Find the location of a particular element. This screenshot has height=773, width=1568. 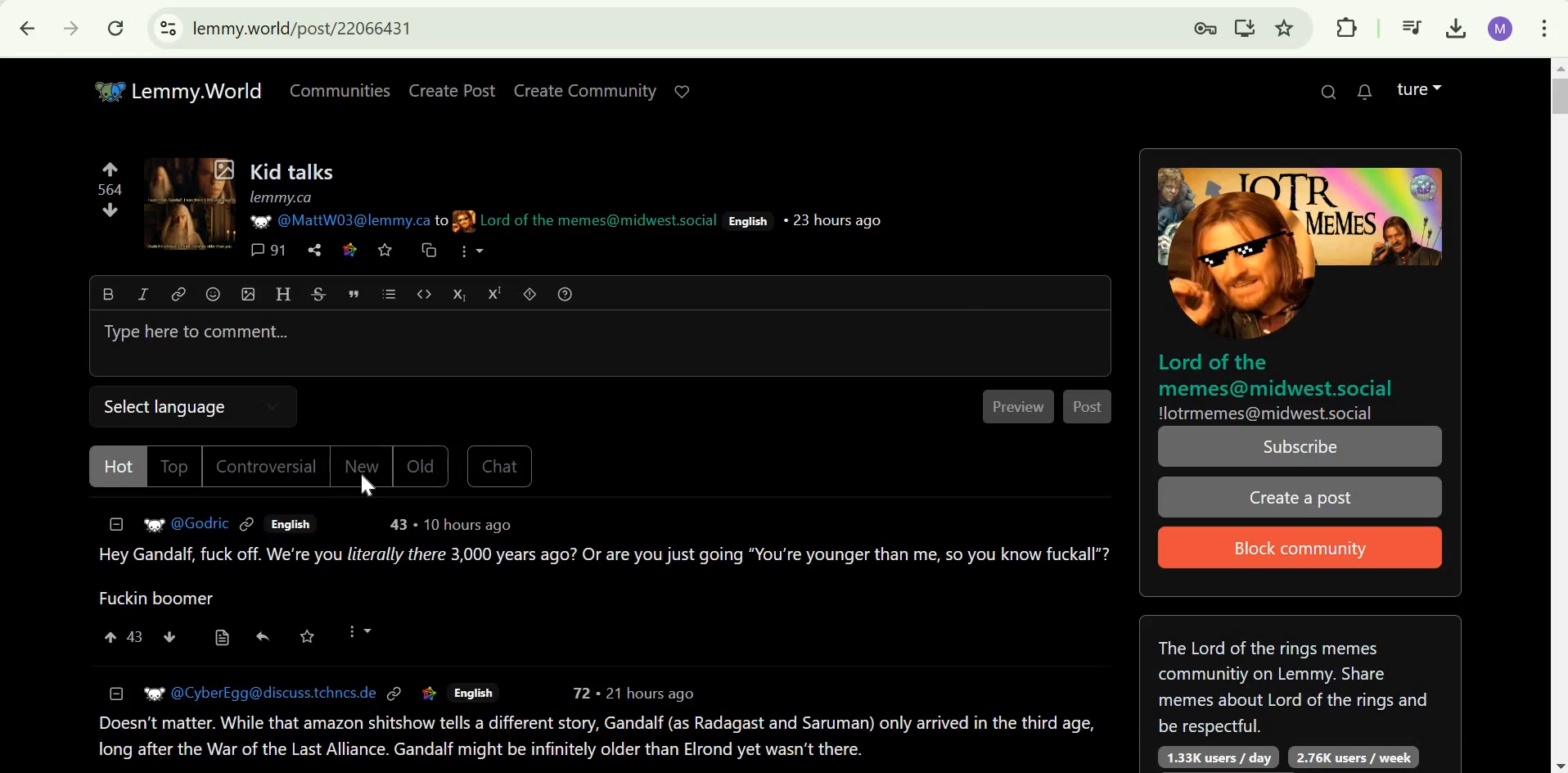

link is located at coordinates (395, 693).